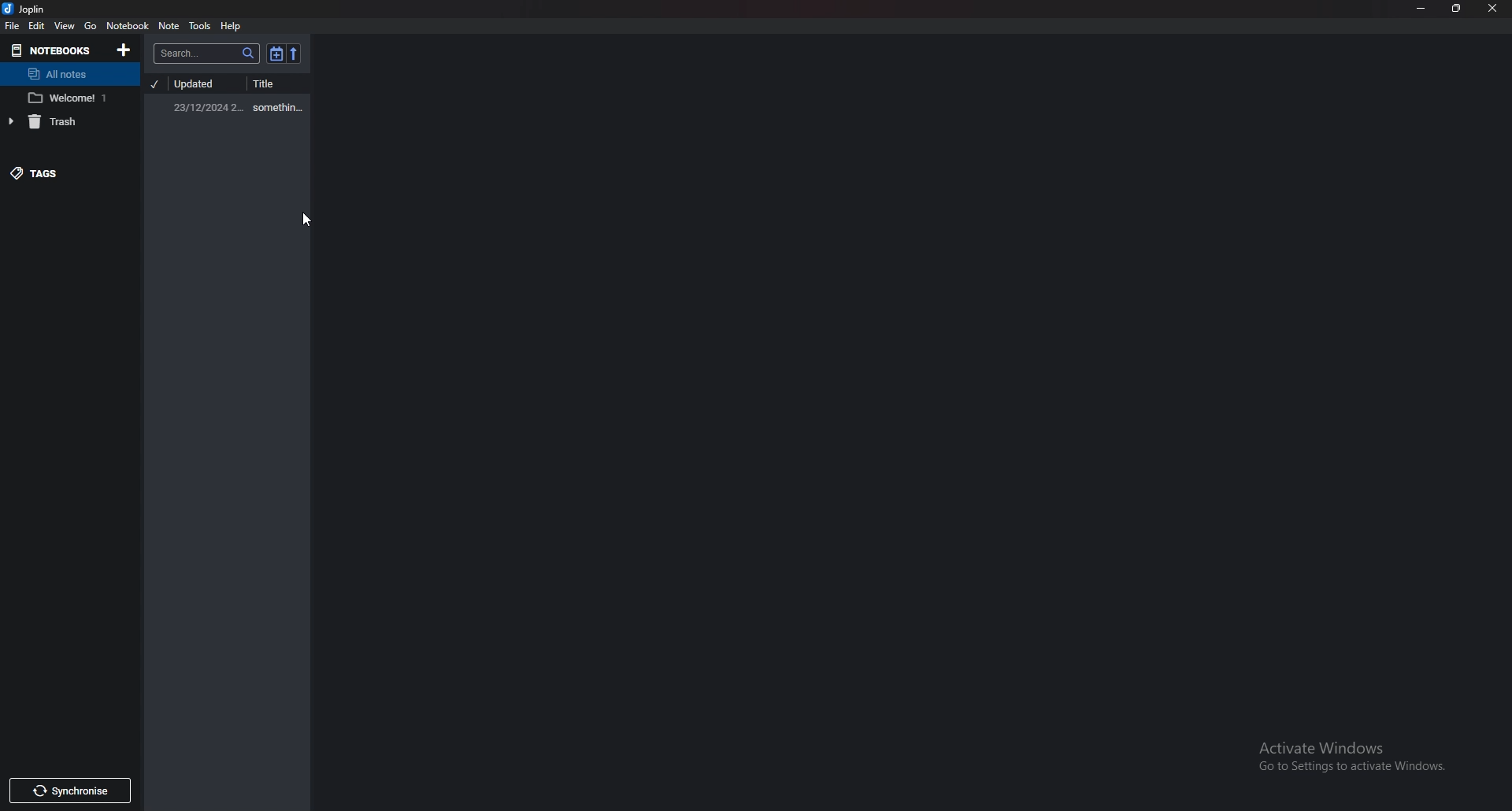  What do you see at coordinates (1493, 9) in the screenshot?
I see `close` at bounding box center [1493, 9].